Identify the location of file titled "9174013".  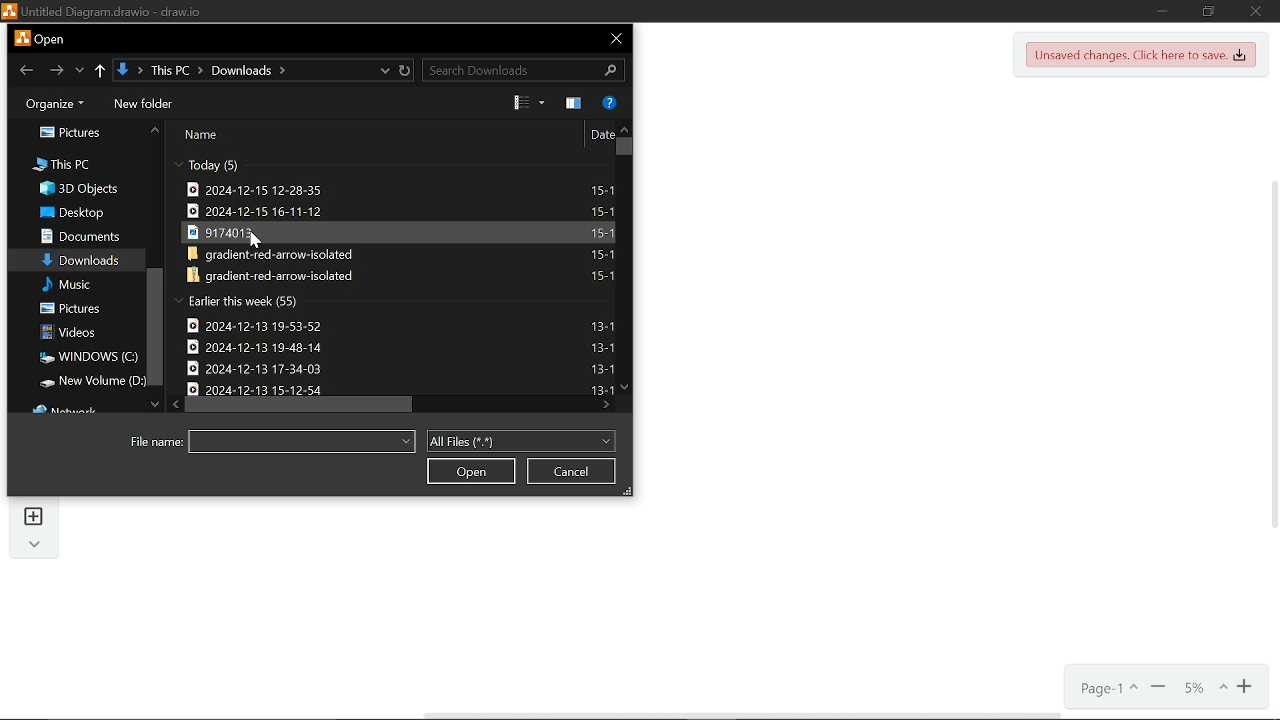
(403, 231).